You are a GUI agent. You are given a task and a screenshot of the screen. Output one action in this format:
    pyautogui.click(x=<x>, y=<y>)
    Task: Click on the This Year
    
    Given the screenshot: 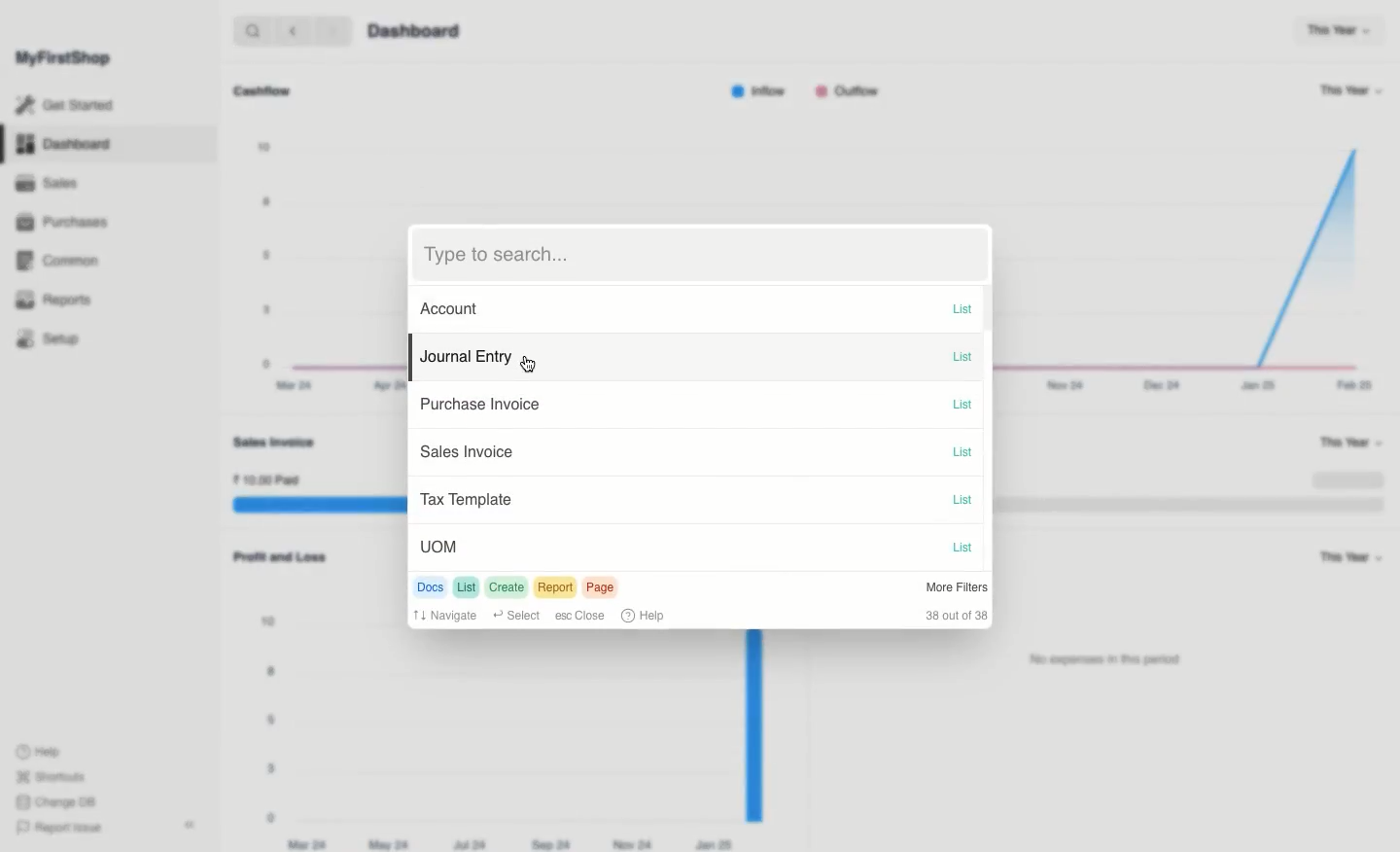 What is the action you would take?
    pyautogui.click(x=1353, y=91)
    